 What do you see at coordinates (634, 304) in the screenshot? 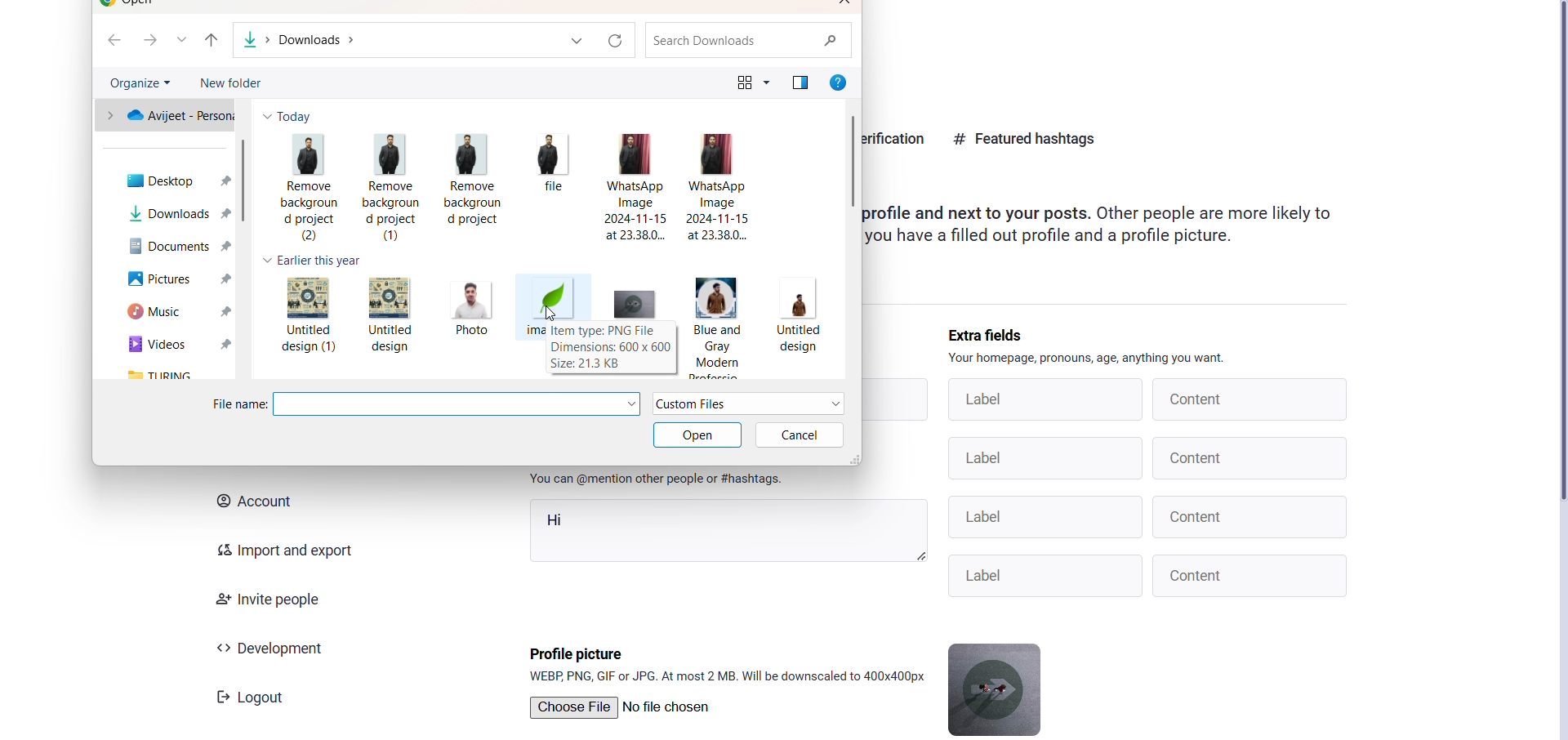
I see `Image file` at bounding box center [634, 304].